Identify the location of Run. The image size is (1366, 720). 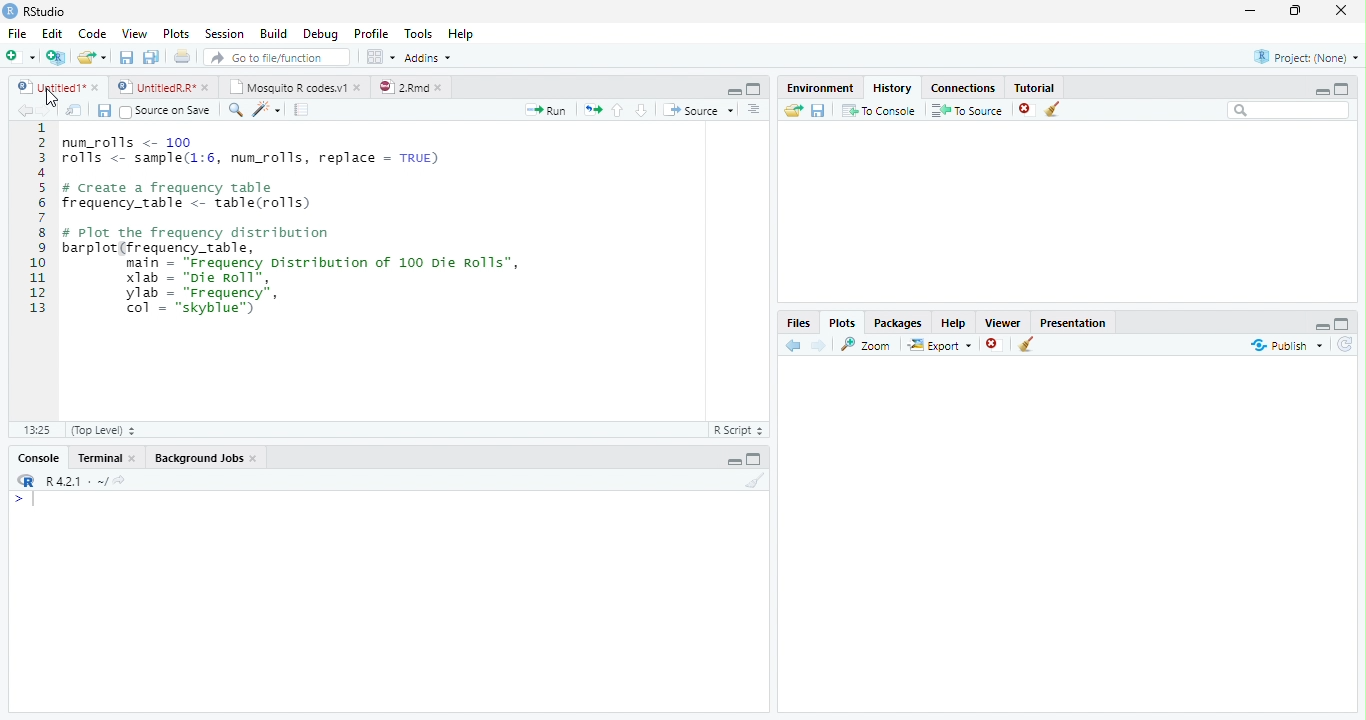
(547, 110).